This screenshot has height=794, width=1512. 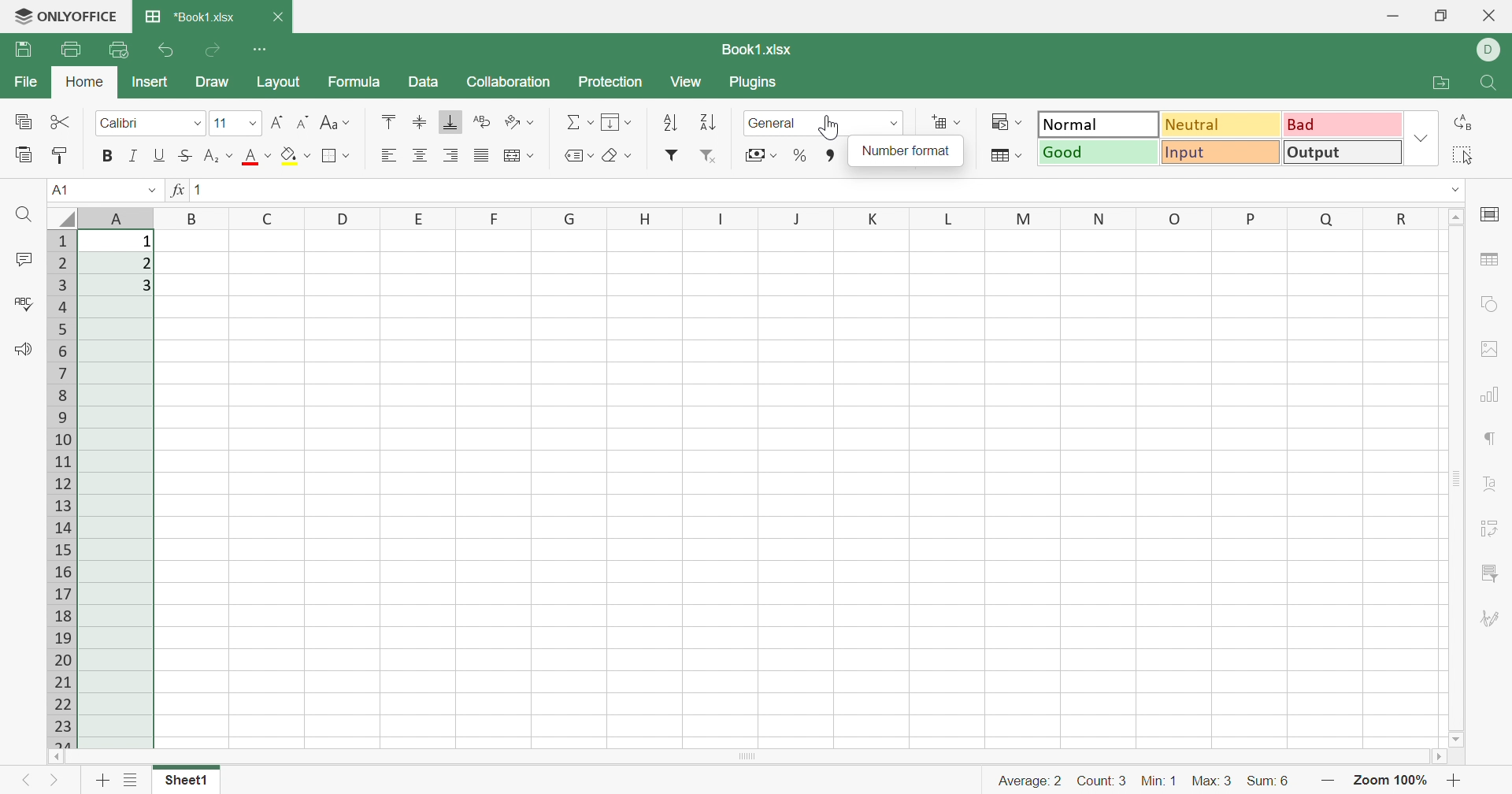 I want to click on Font, so click(x=258, y=157).